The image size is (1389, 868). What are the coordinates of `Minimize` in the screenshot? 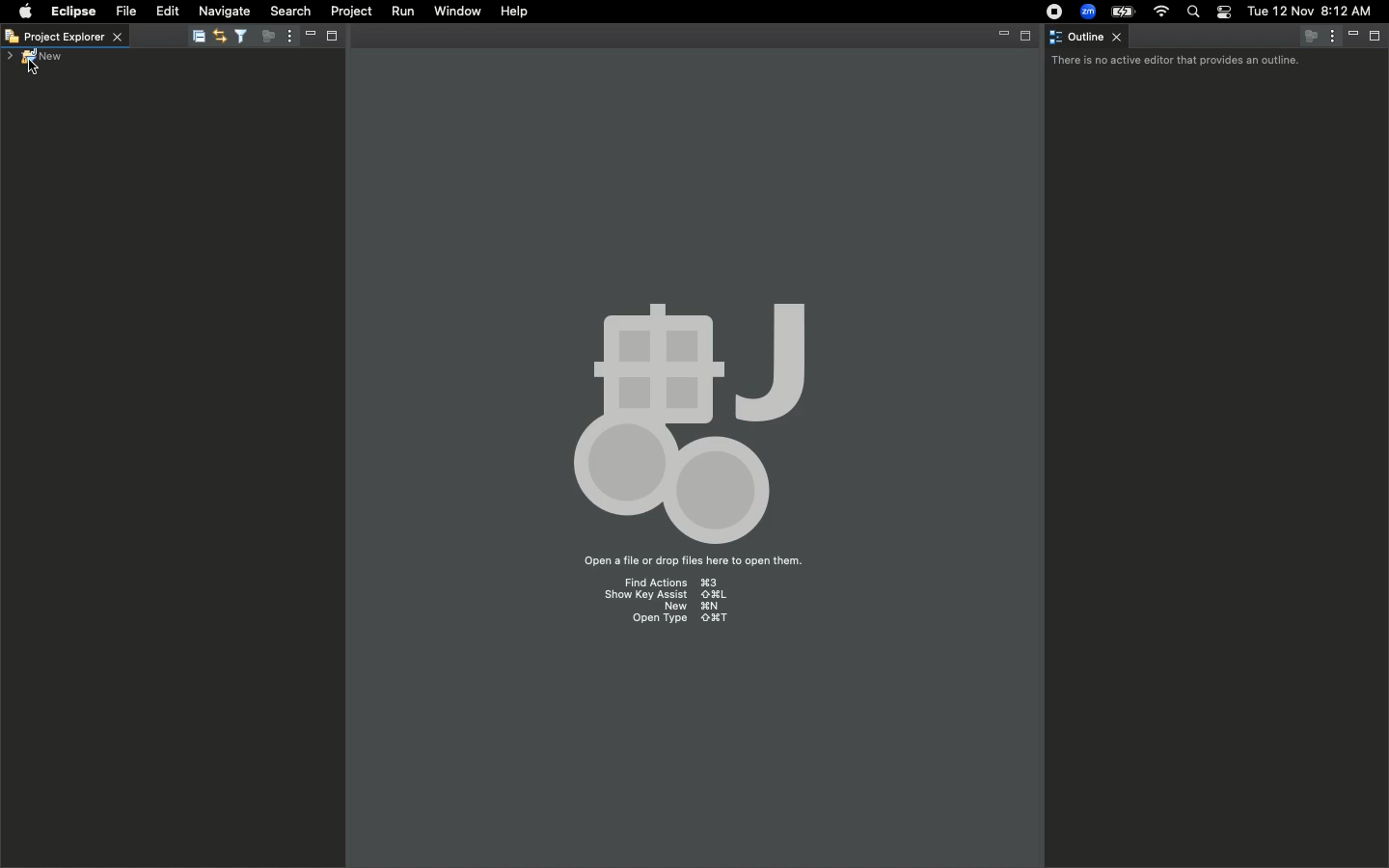 It's located at (1000, 35).